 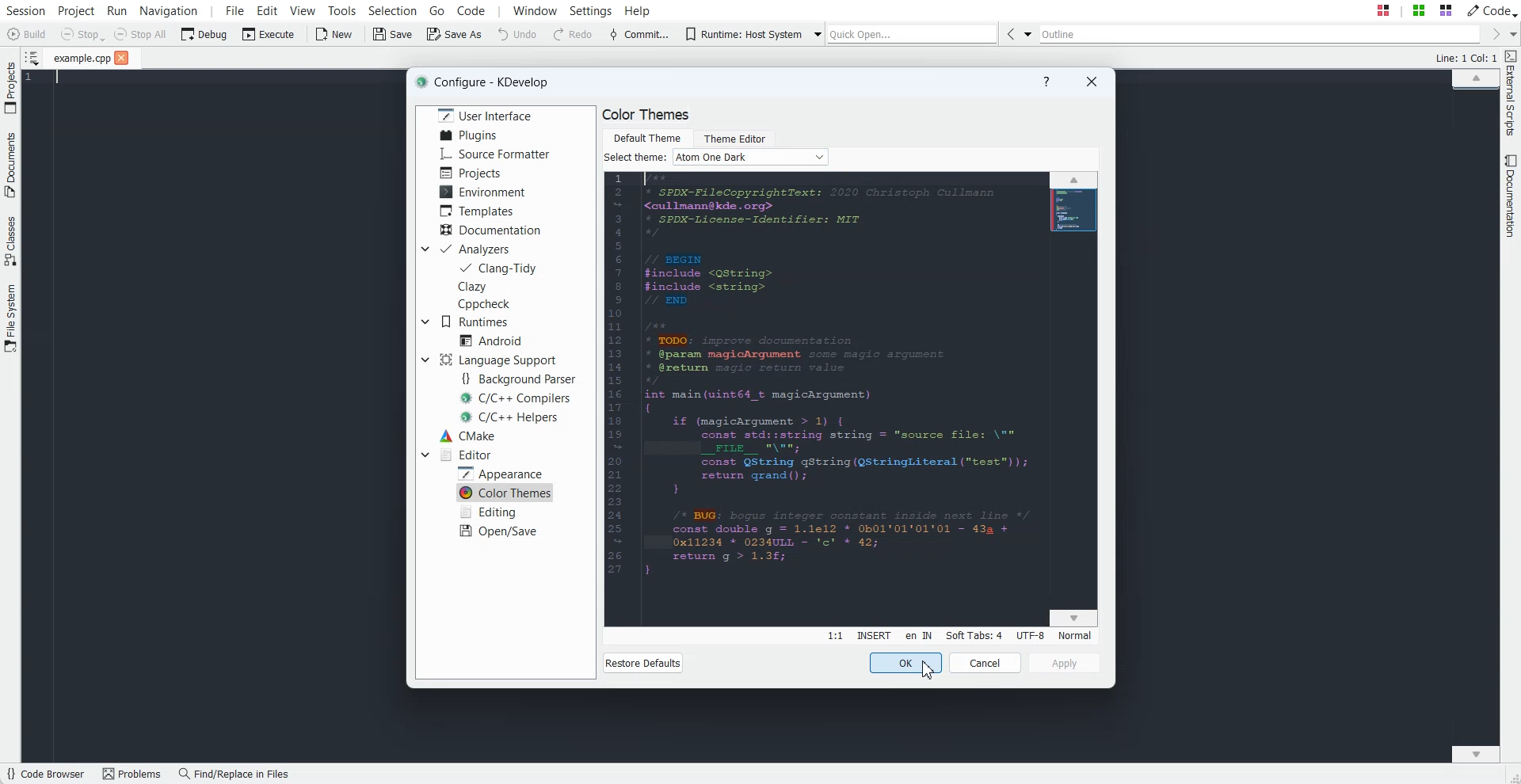 I want to click on Tools, so click(x=341, y=10).